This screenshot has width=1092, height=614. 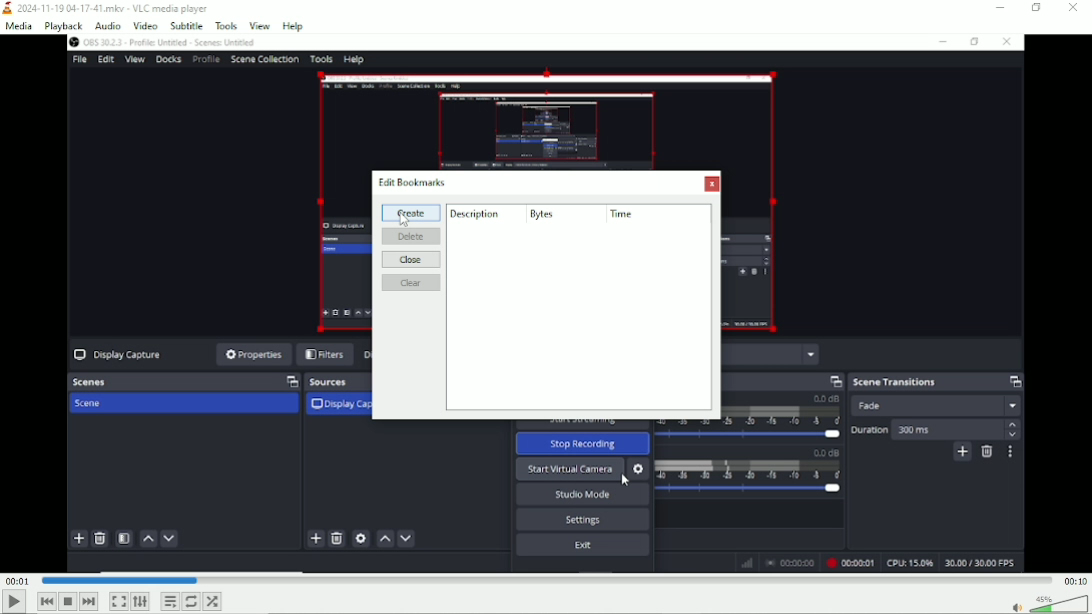 What do you see at coordinates (411, 213) in the screenshot?
I see `Create` at bounding box center [411, 213].